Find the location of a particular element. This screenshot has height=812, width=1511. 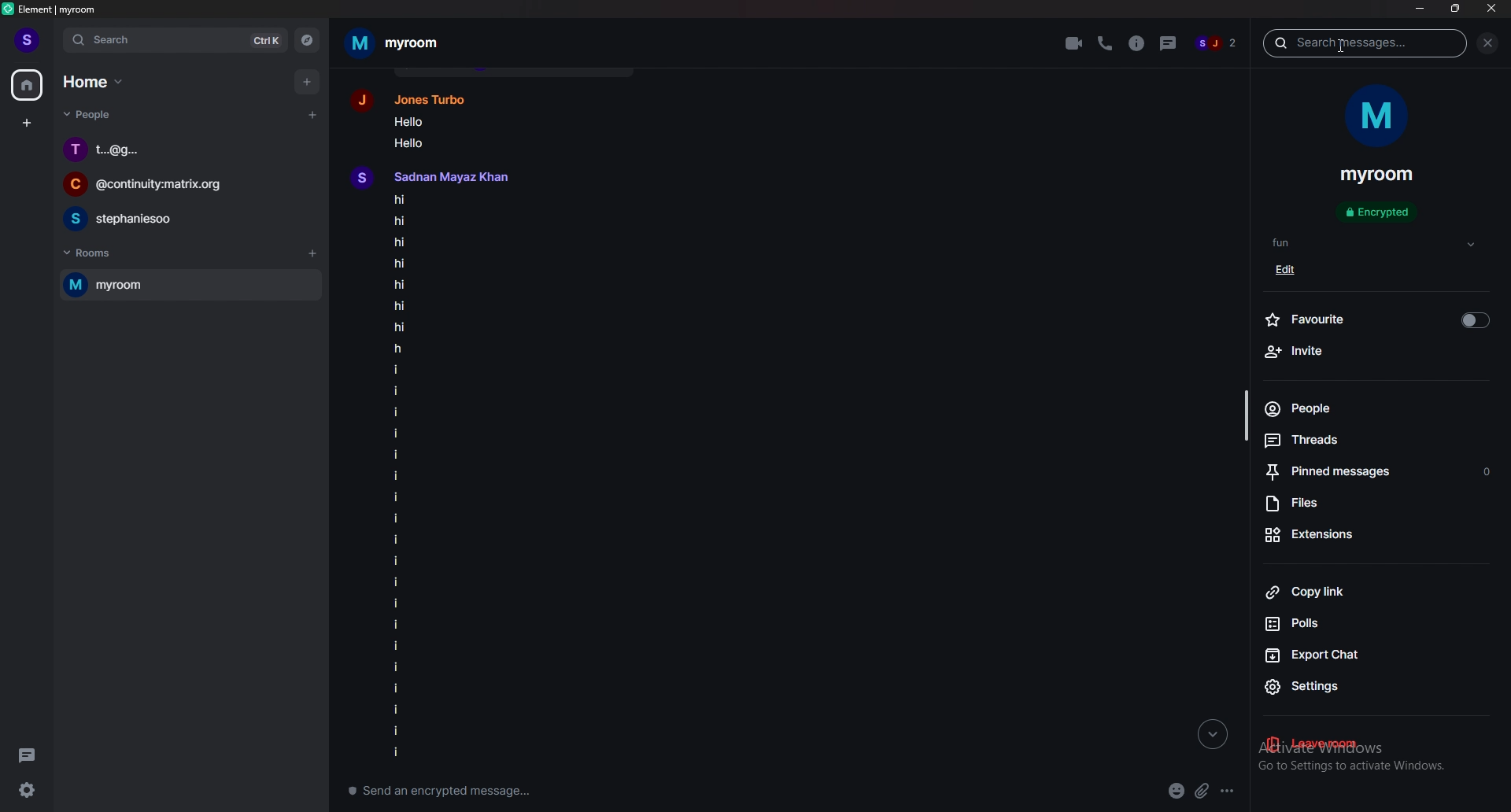

close is located at coordinates (1491, 9).